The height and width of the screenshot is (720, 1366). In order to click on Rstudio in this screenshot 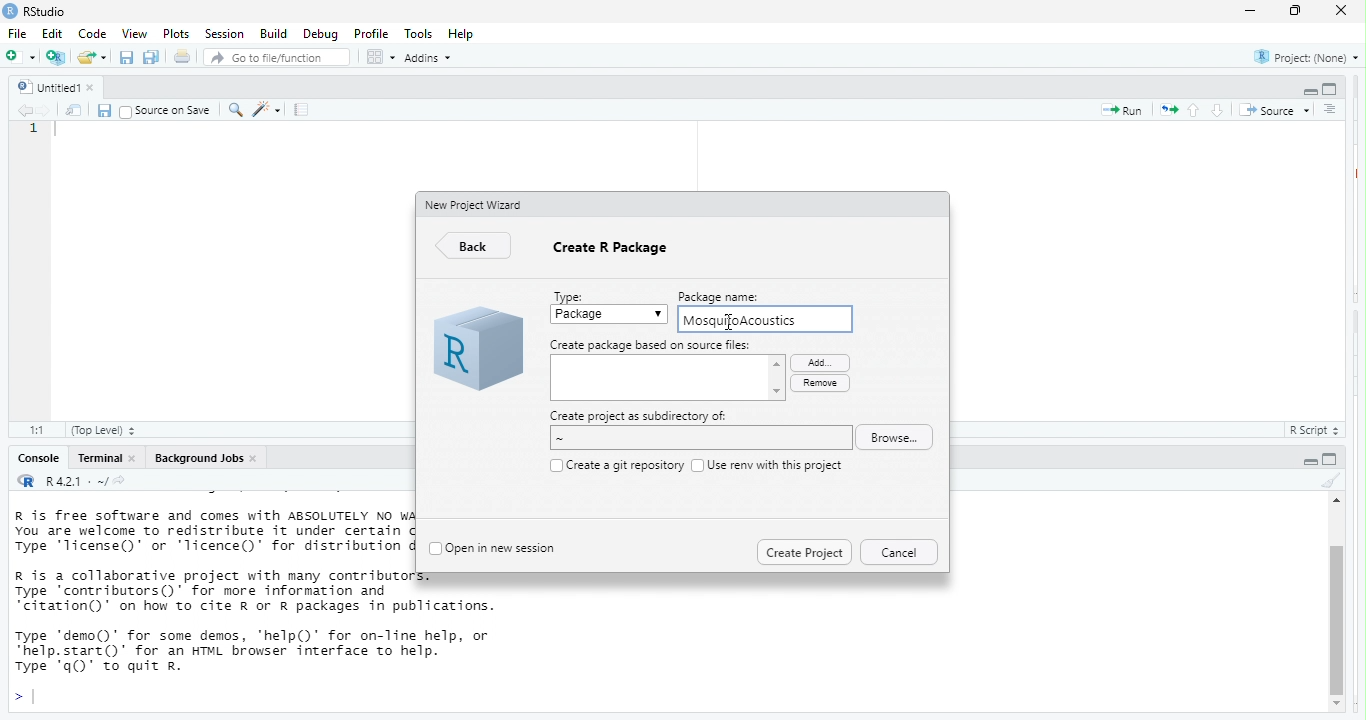, I will do `click(46, 11)`.